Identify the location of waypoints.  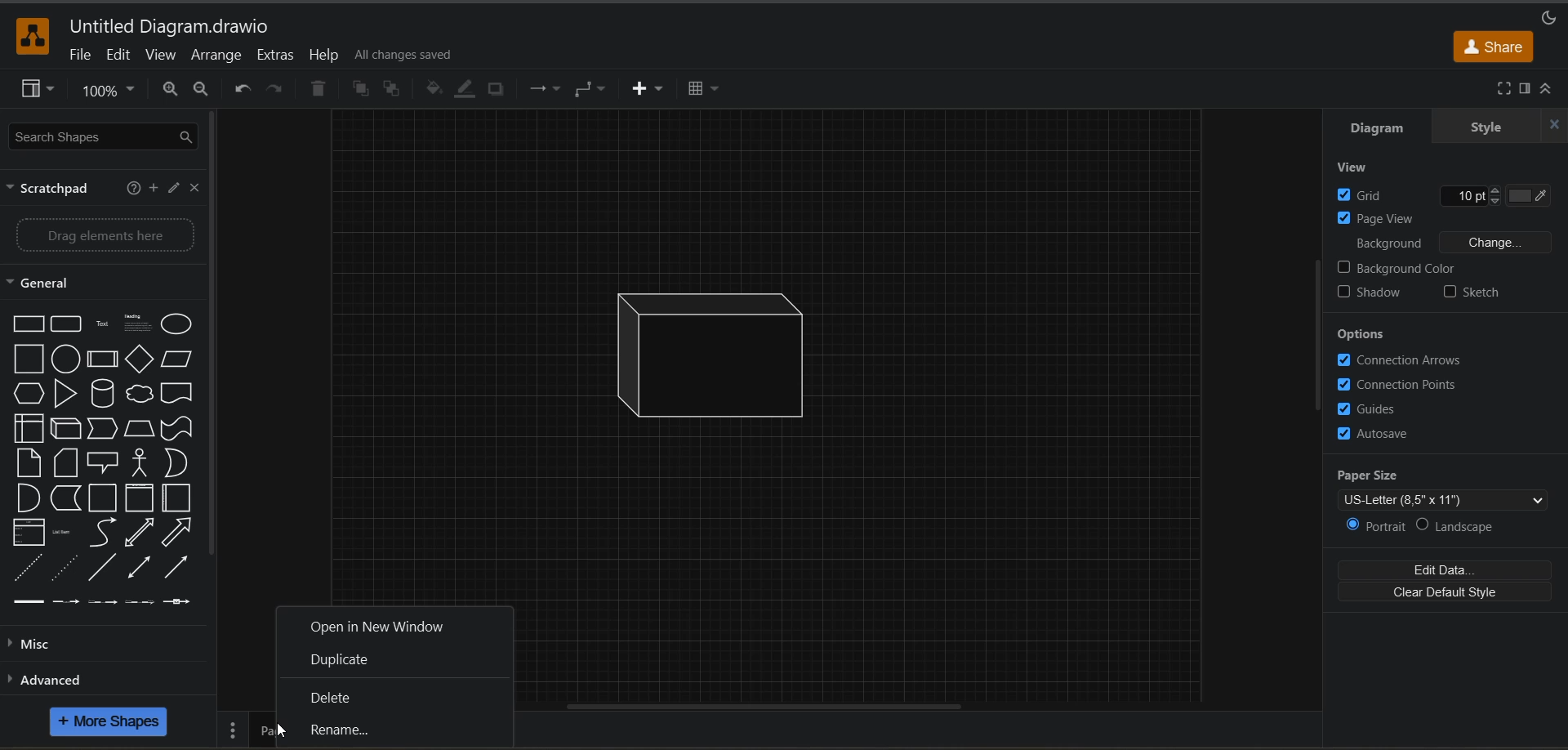
(593, 90).